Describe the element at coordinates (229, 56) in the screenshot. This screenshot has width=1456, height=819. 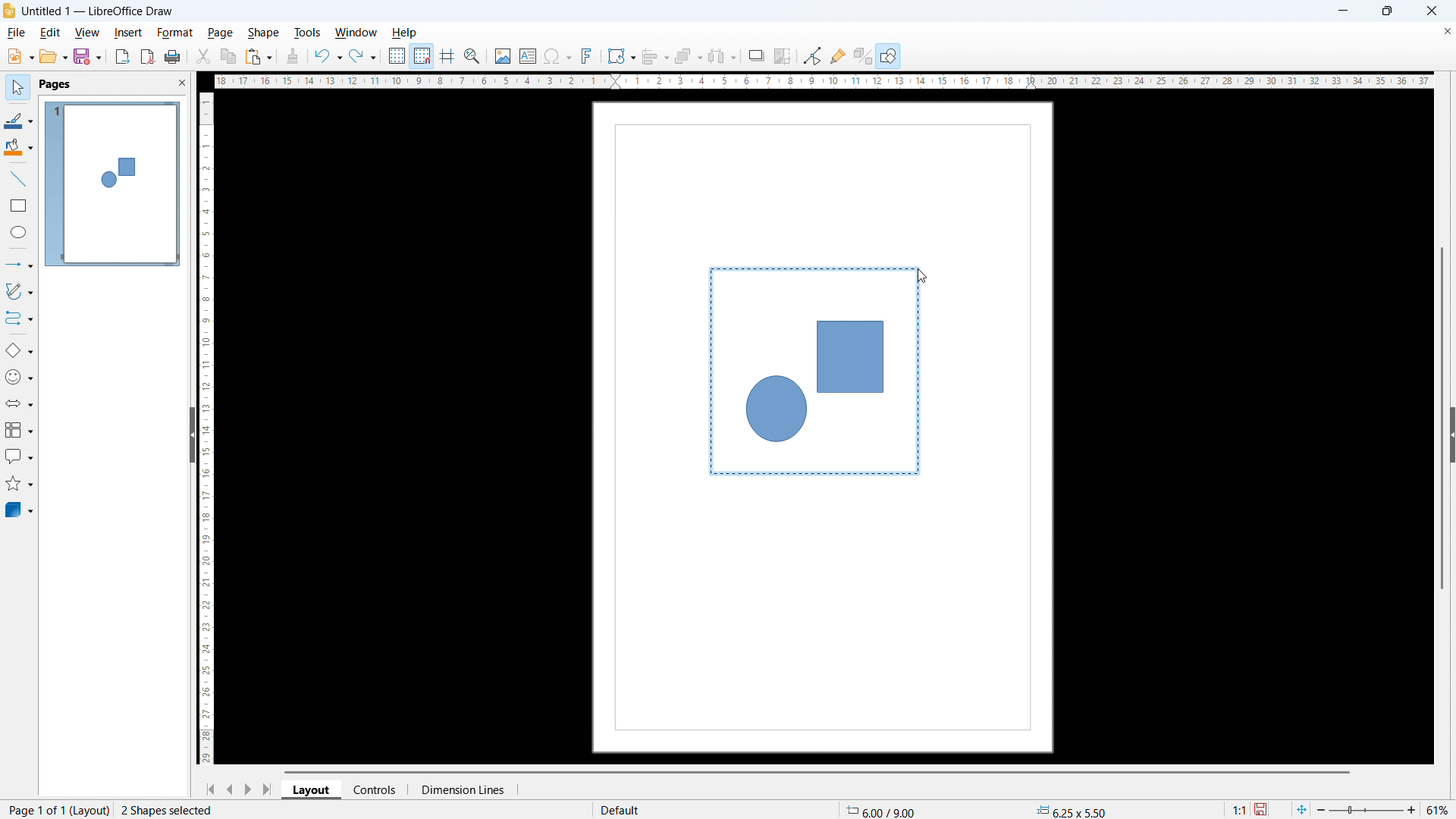
I see `copy` at that location.